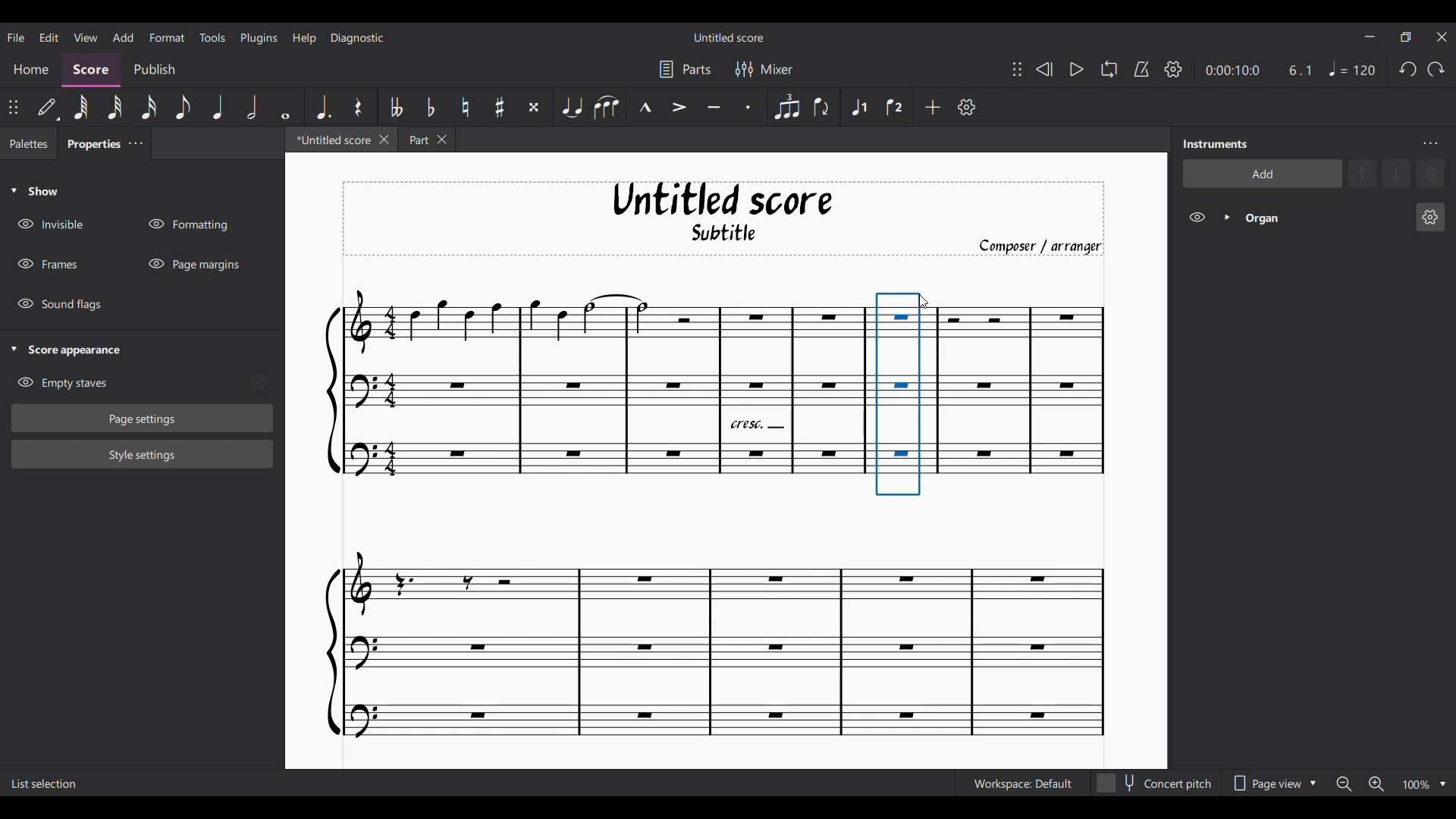 The image size is (1456, 819). I want to click on Diagnostic menu, so click(358, 38).